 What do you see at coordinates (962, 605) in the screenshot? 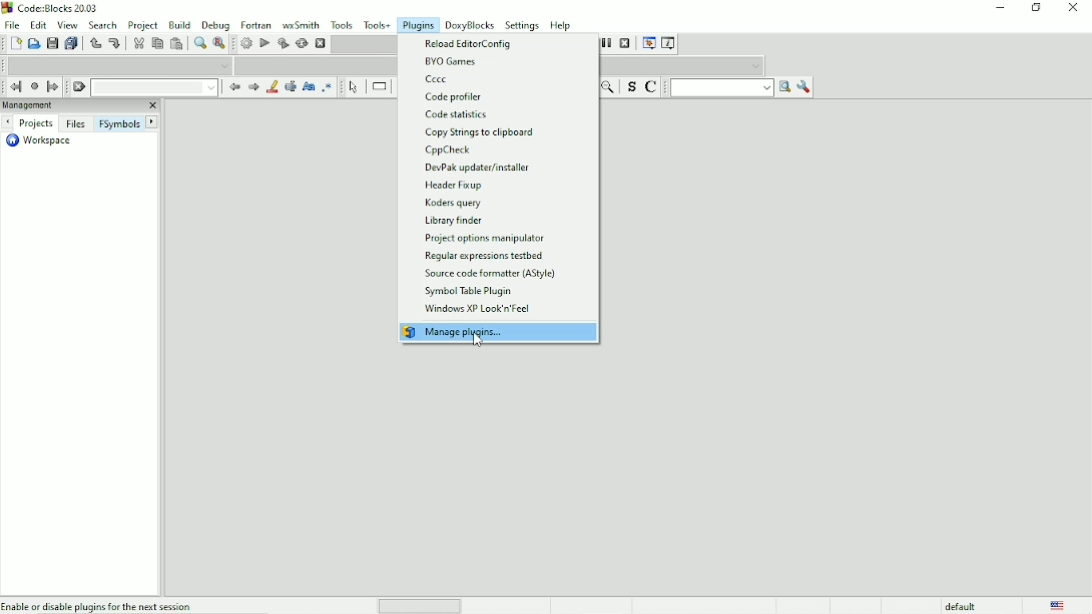
I see `default` at bounding box center [962, 605].